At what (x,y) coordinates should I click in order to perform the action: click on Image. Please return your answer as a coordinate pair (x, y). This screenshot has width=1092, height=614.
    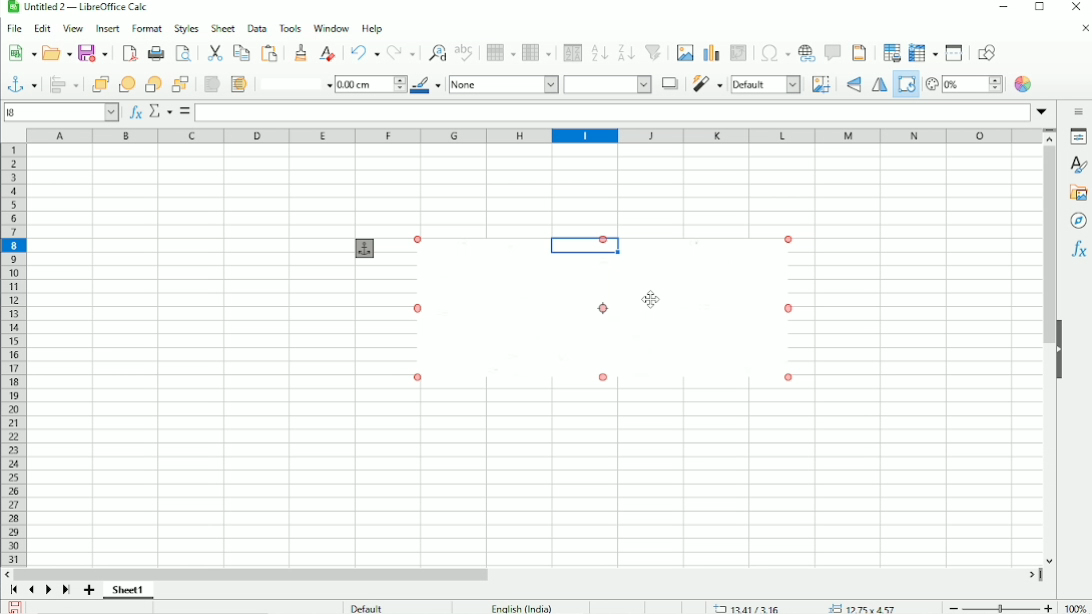
    Looking at the image, I should click on (599, 314).